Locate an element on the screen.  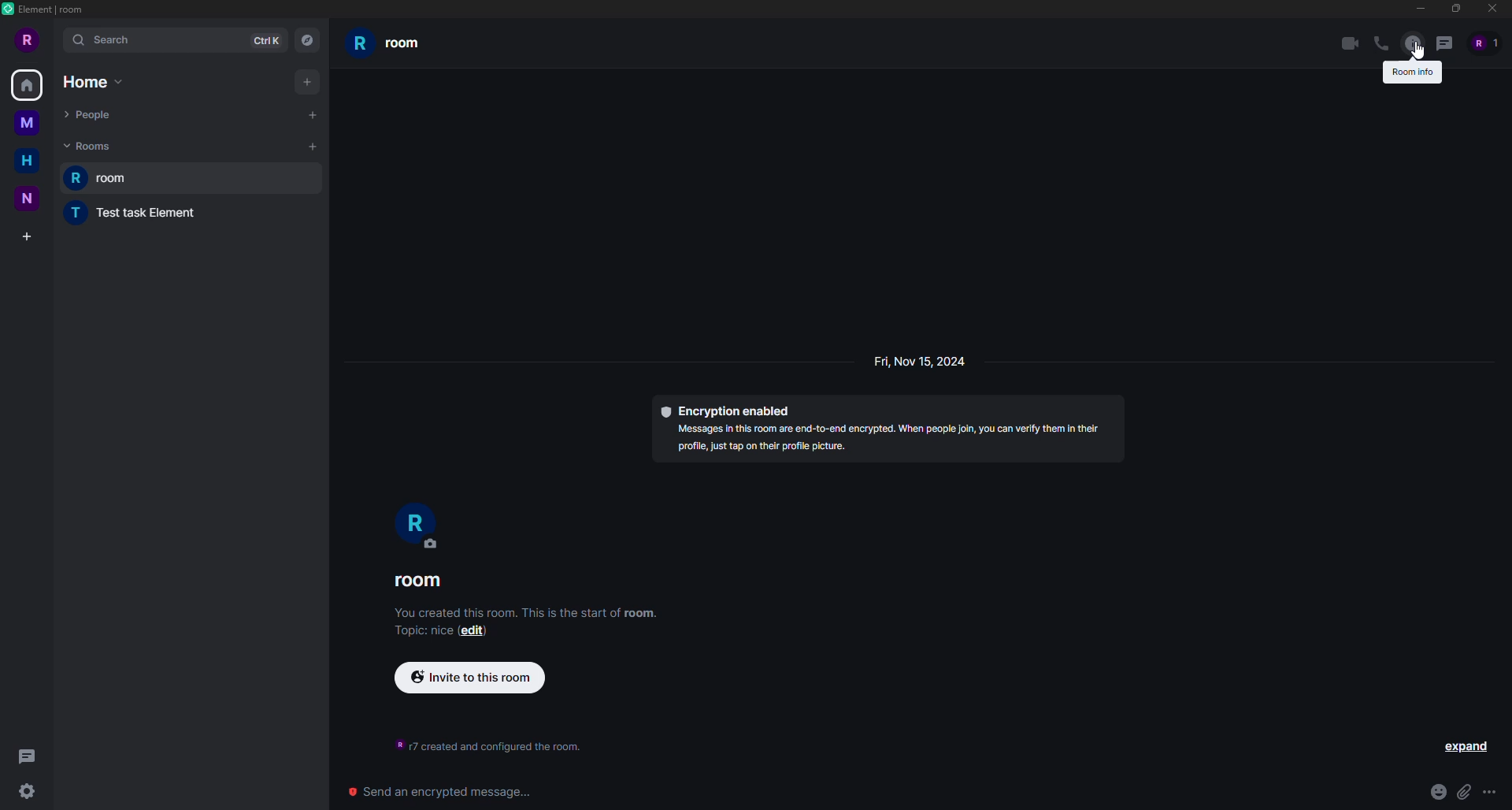
N is located at coordinates (28, 199).